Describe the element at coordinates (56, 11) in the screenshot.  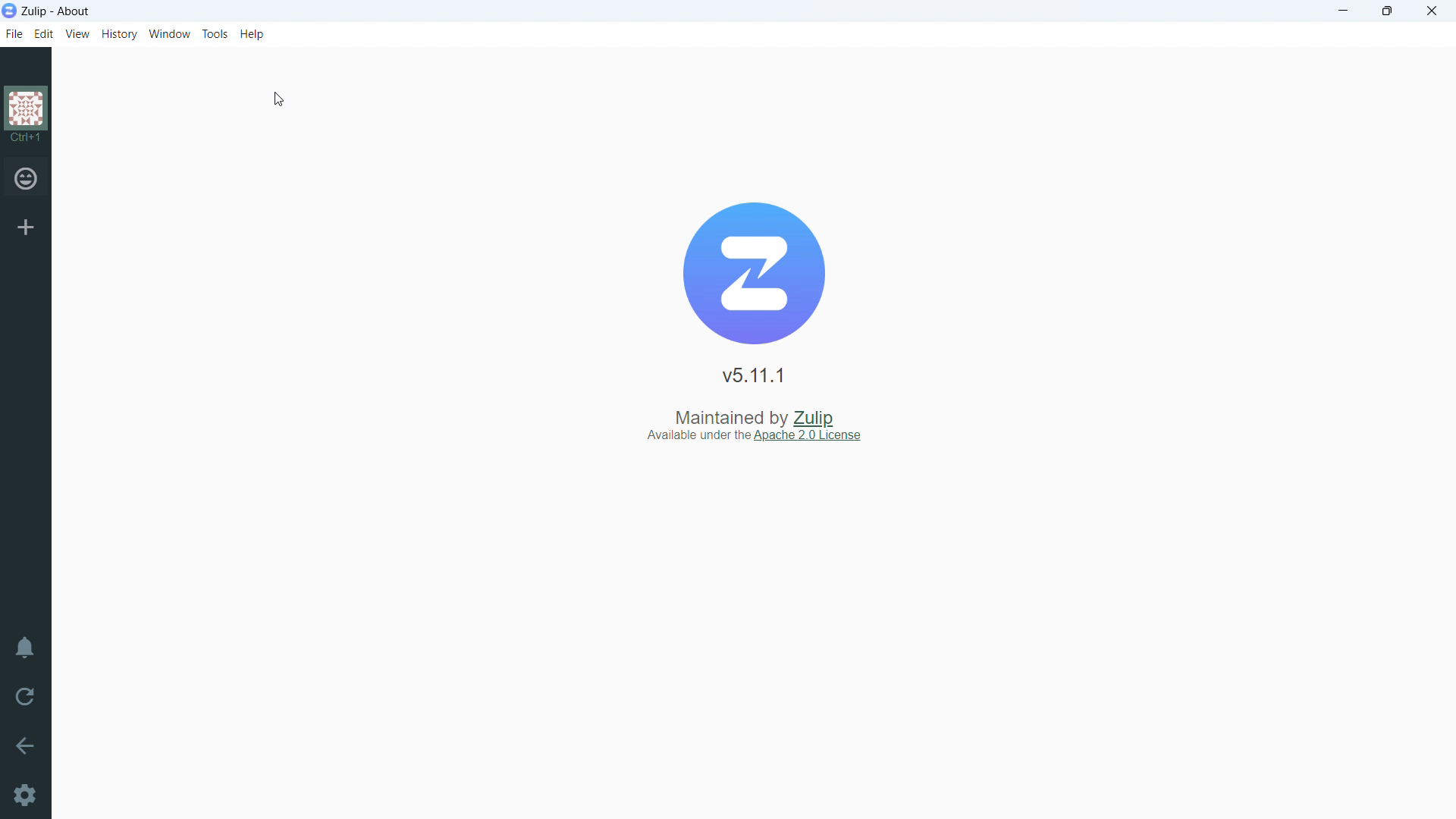
I see `Application logo and name with file name` at that location.